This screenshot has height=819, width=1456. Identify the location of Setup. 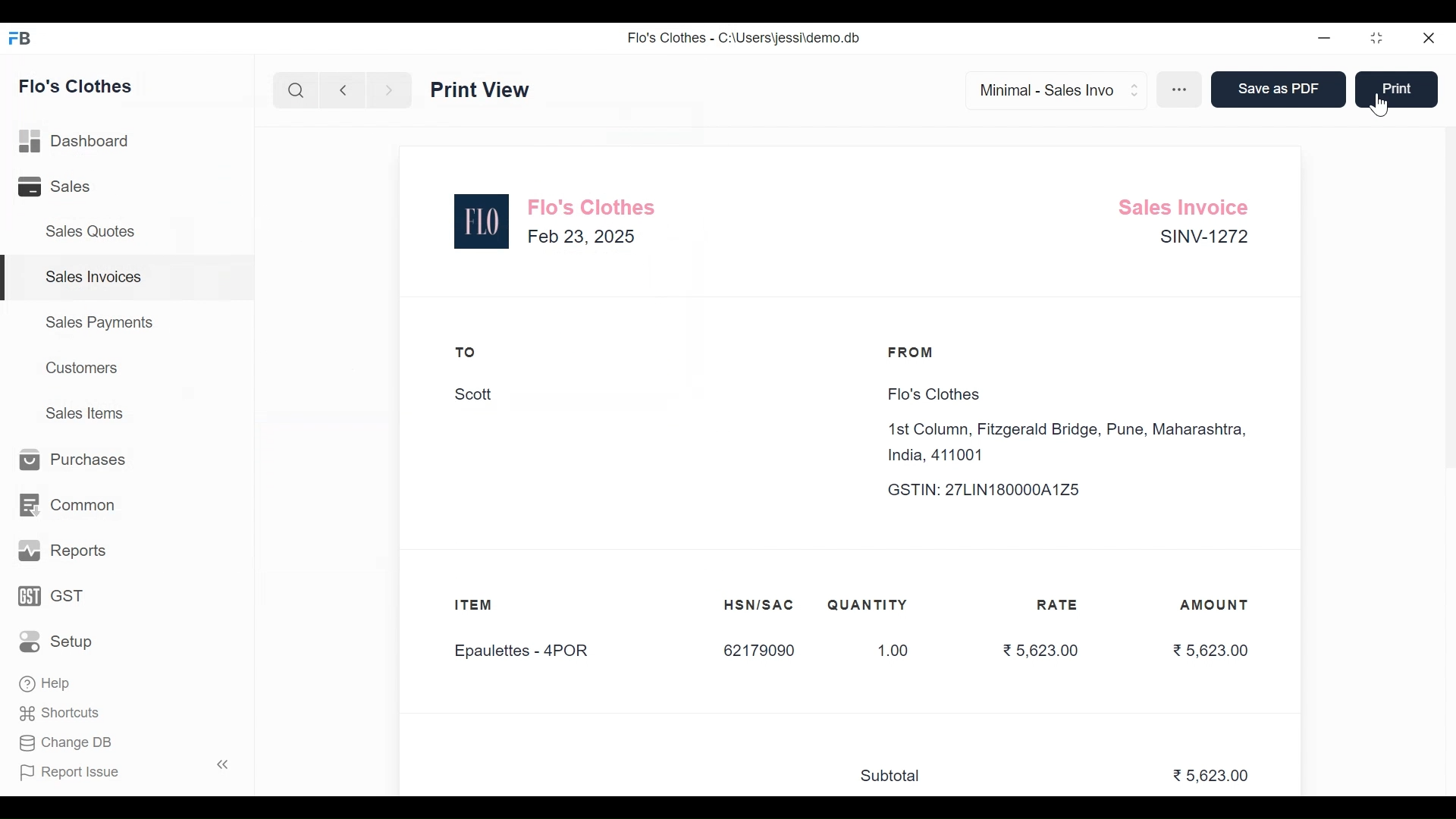
(56, 640).